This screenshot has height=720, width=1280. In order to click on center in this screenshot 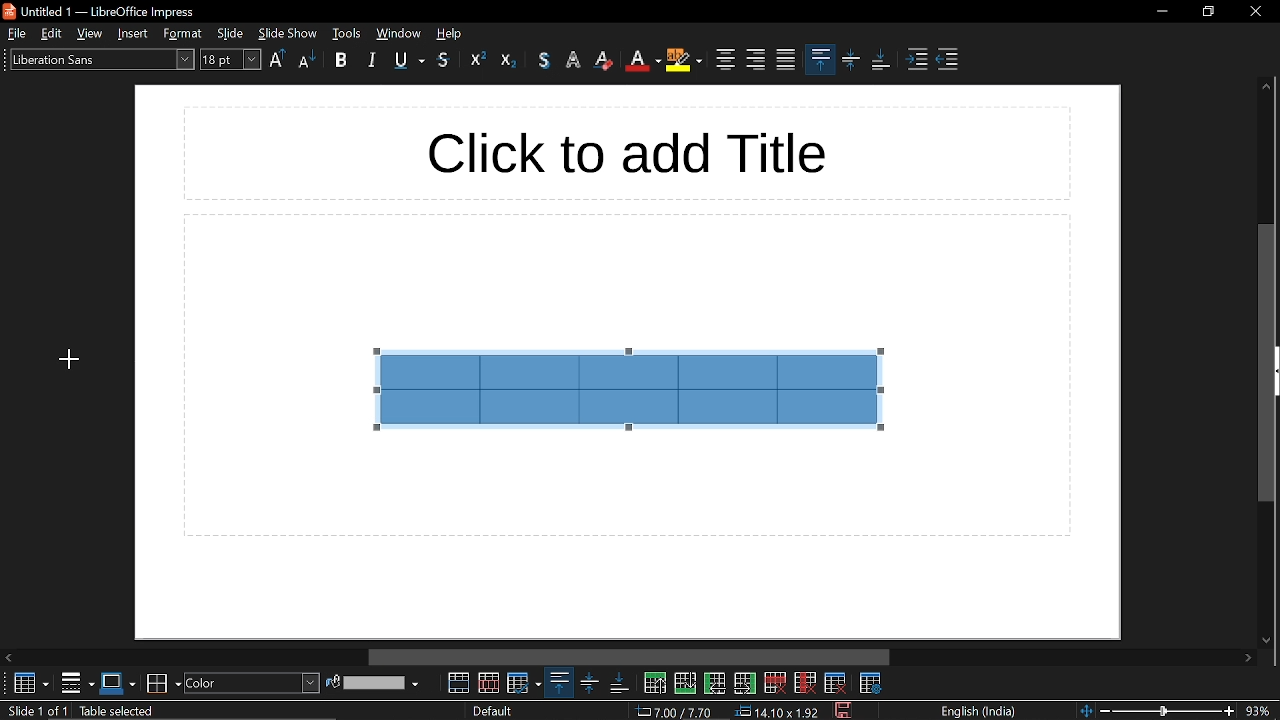, I will do `click(724, 57)`.